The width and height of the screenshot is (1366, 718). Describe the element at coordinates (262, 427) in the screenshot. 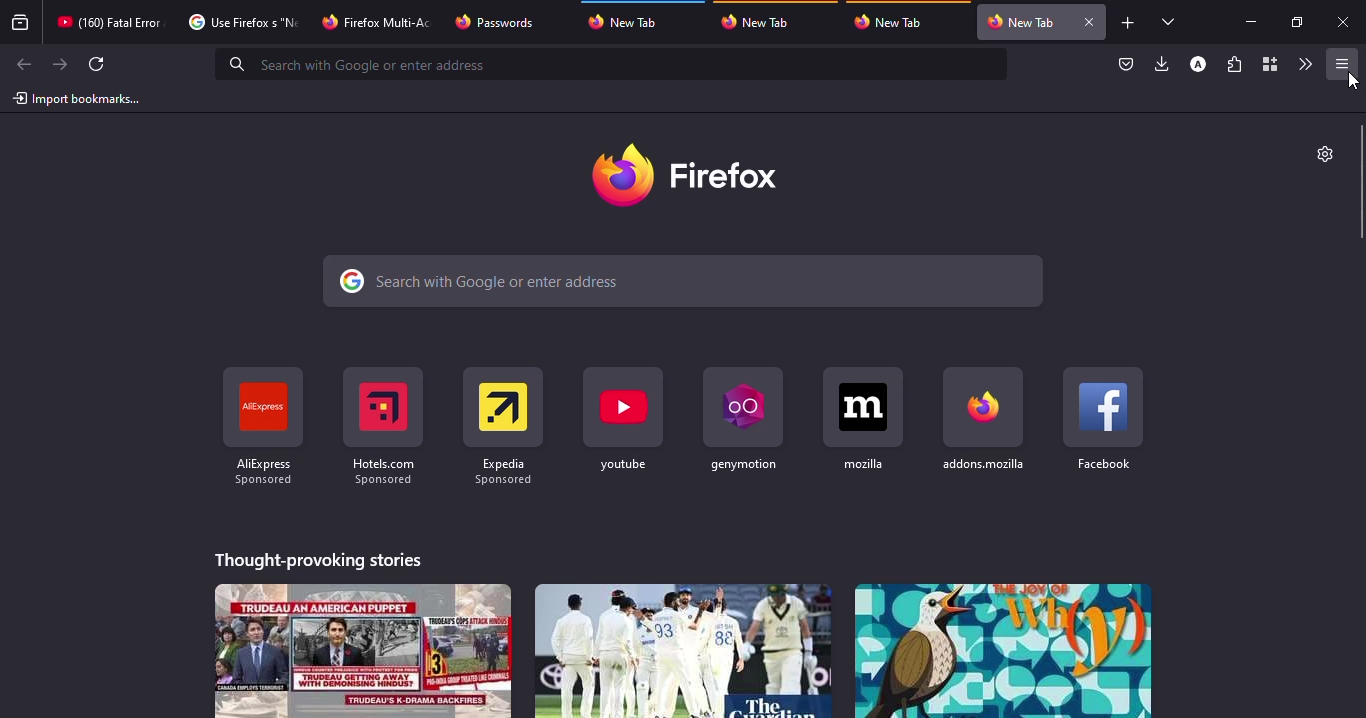

I see `shortcut` at that location.